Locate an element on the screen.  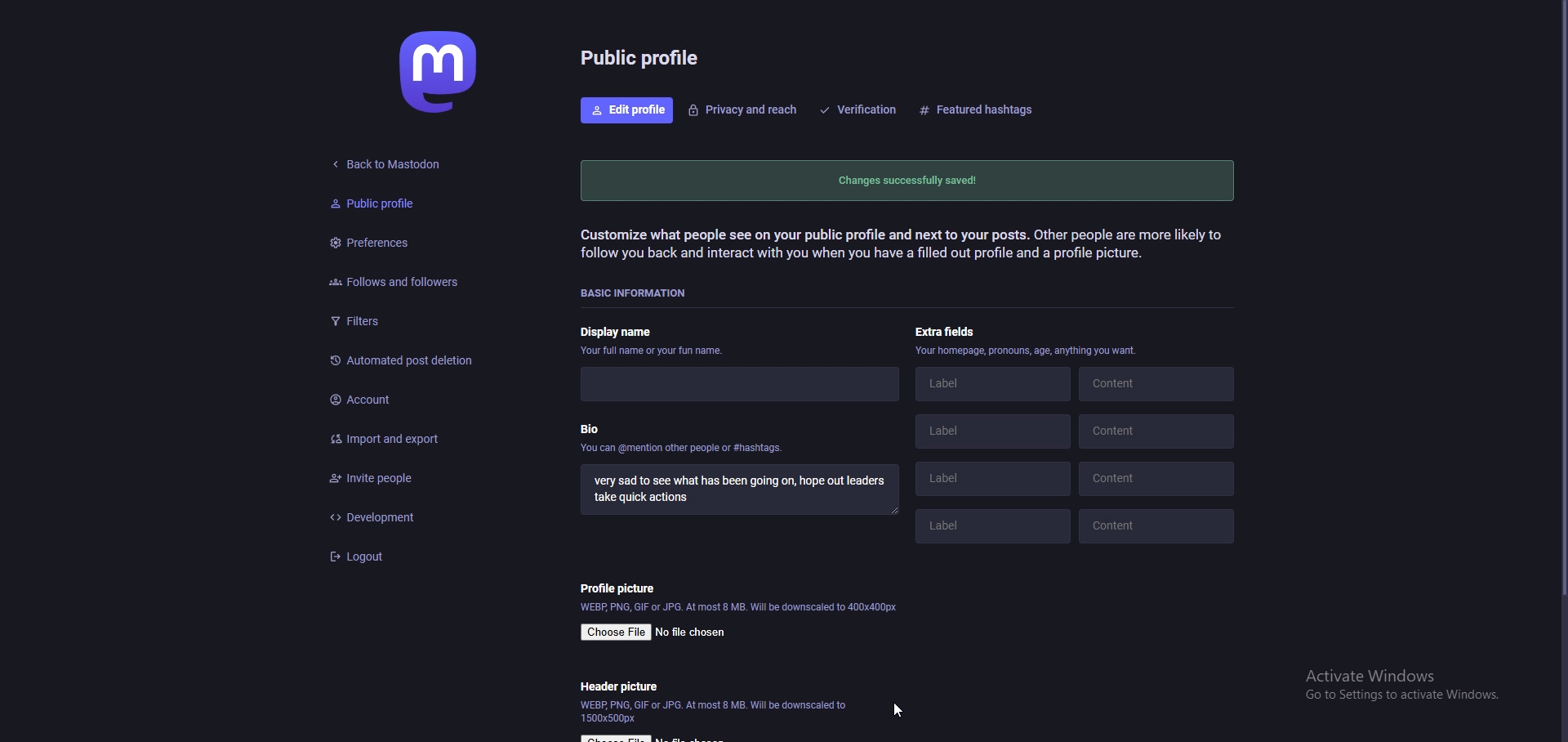
label is located at coordinates (990, 387).